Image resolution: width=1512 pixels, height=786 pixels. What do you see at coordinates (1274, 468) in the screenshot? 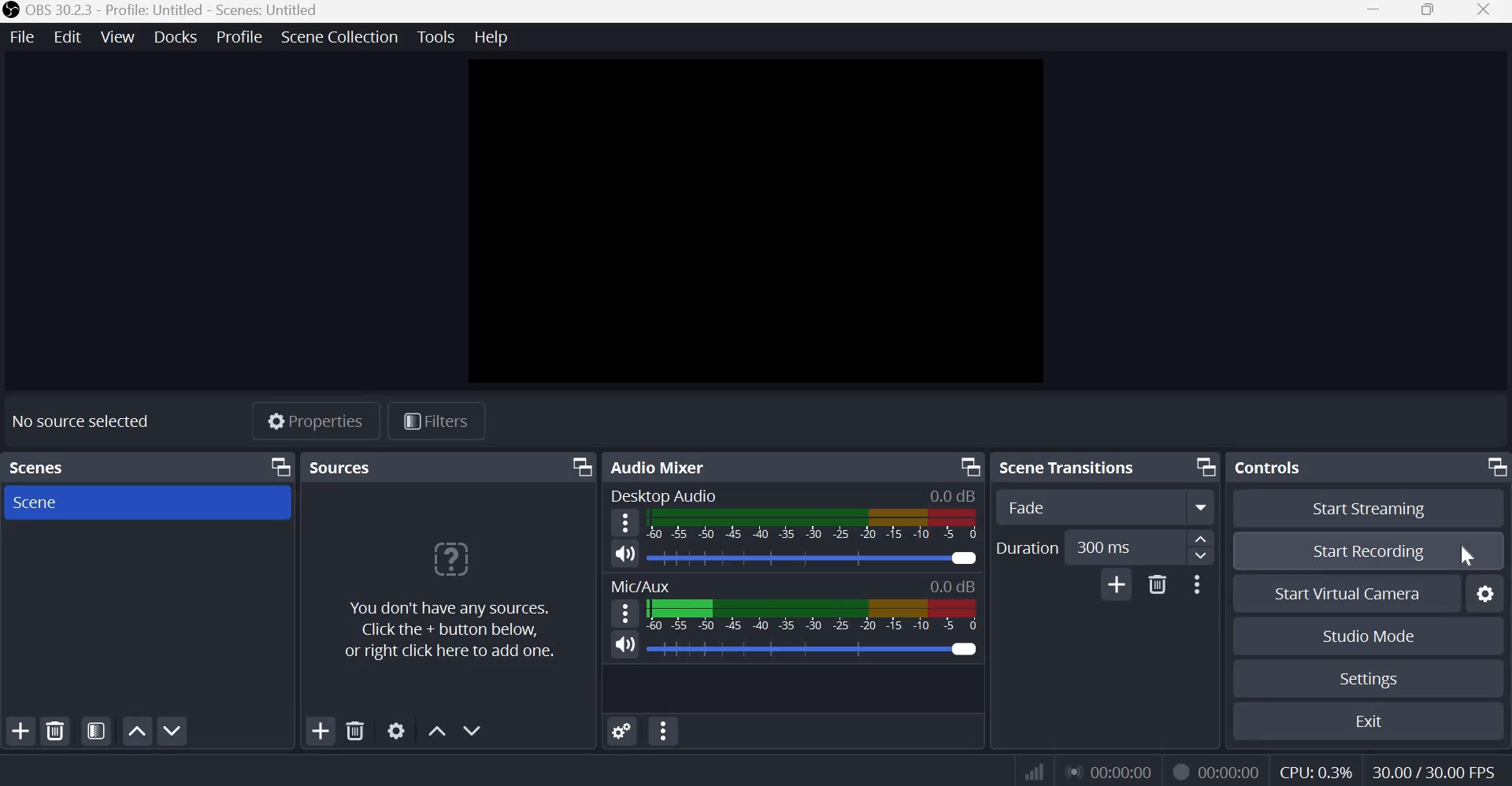
I see `Controls` at bounding box center [1274, 468].